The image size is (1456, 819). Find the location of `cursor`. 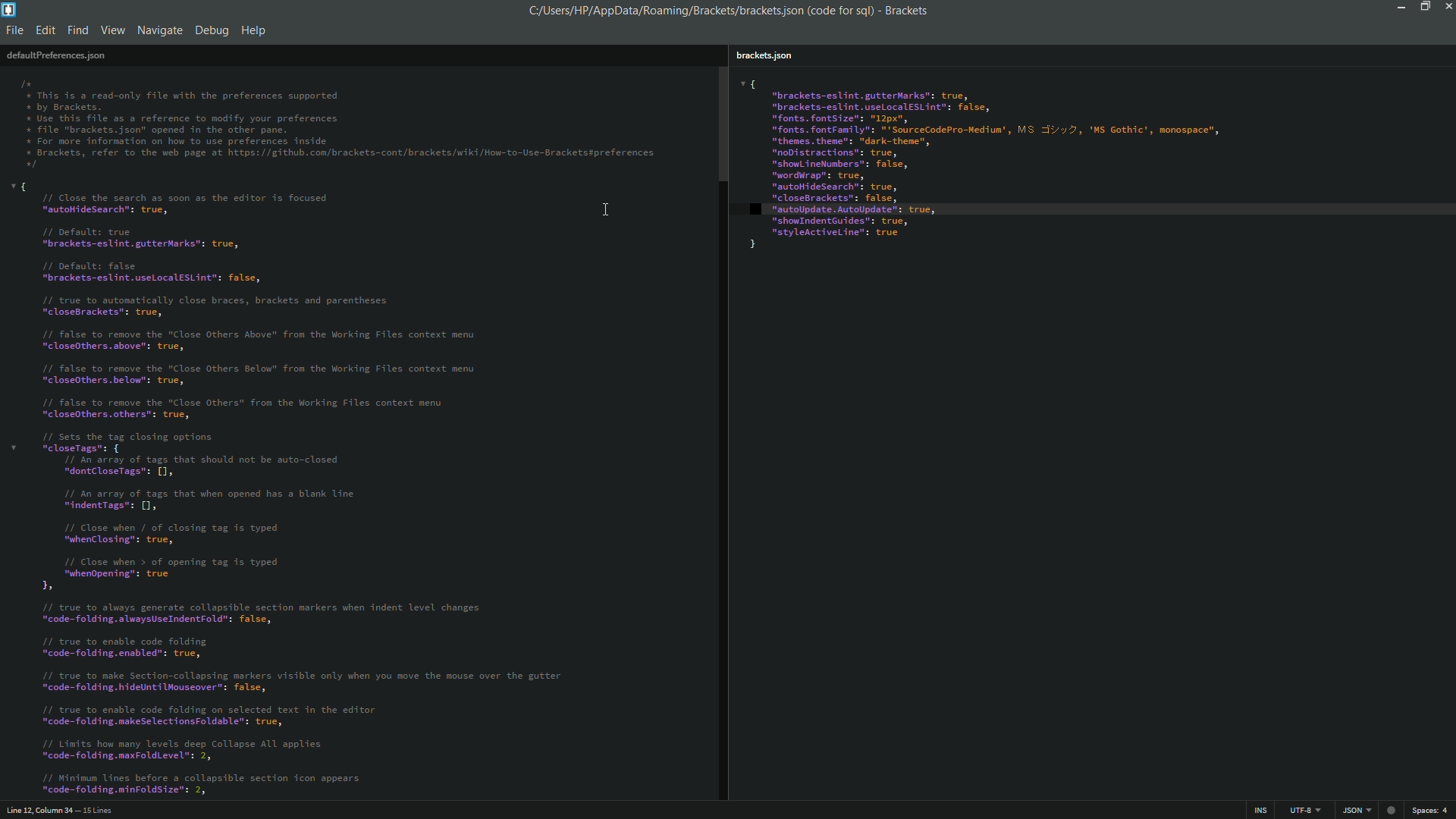

cursor is located at coordinates (609, 207).